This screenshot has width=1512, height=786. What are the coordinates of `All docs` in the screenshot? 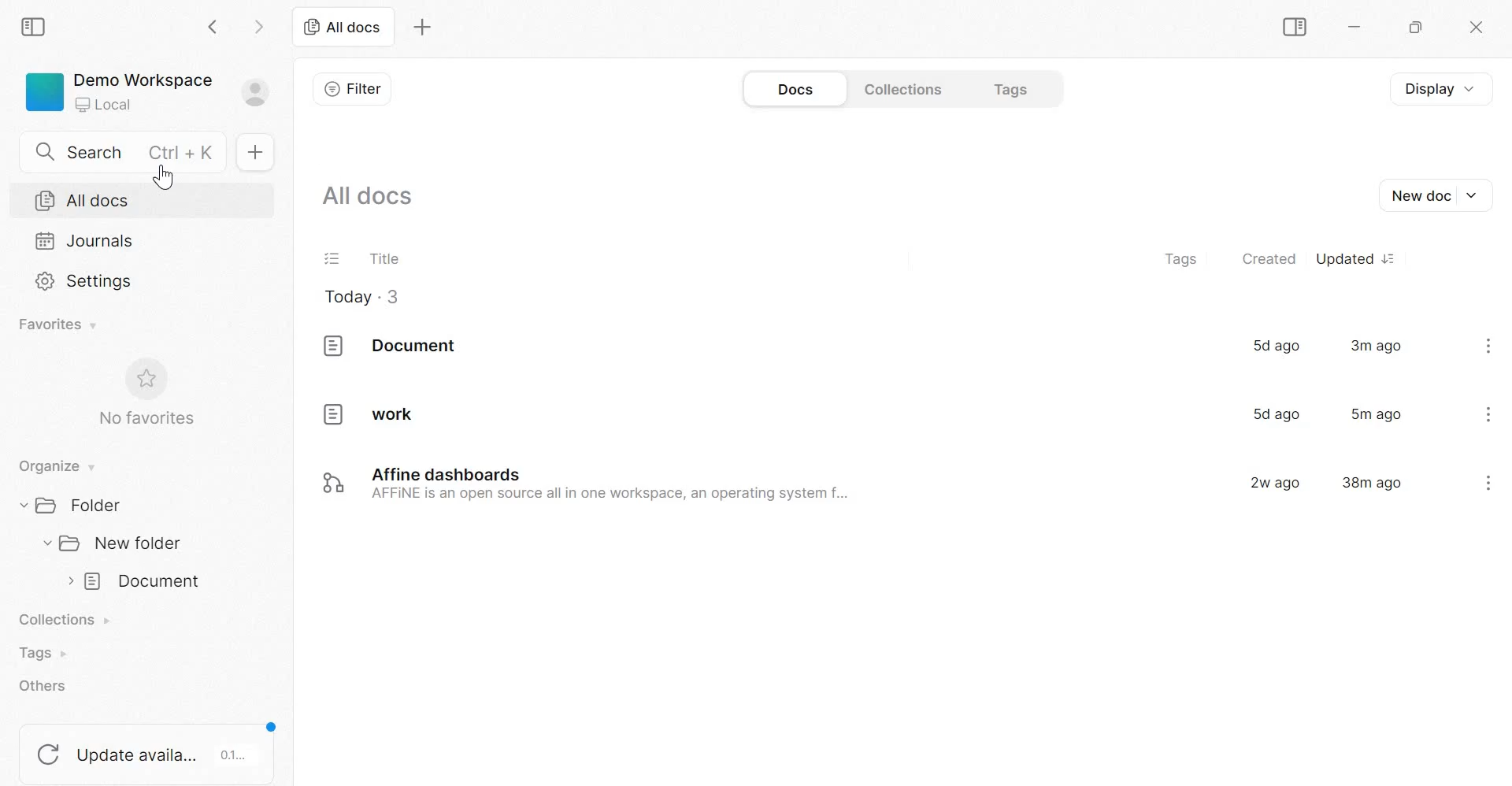 It's located at (342, 26).